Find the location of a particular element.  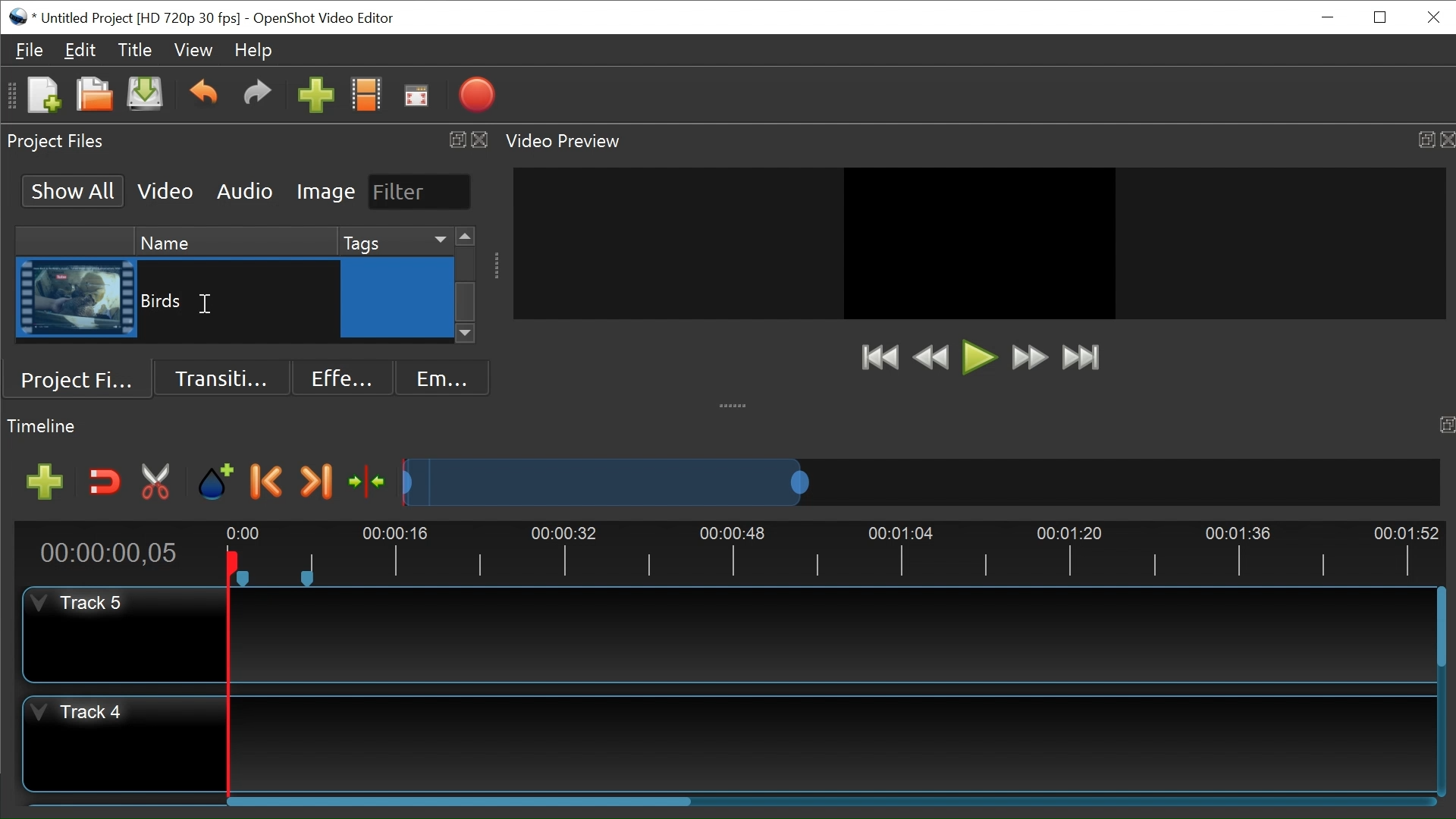

Show All is located at coordinates (70, 190).